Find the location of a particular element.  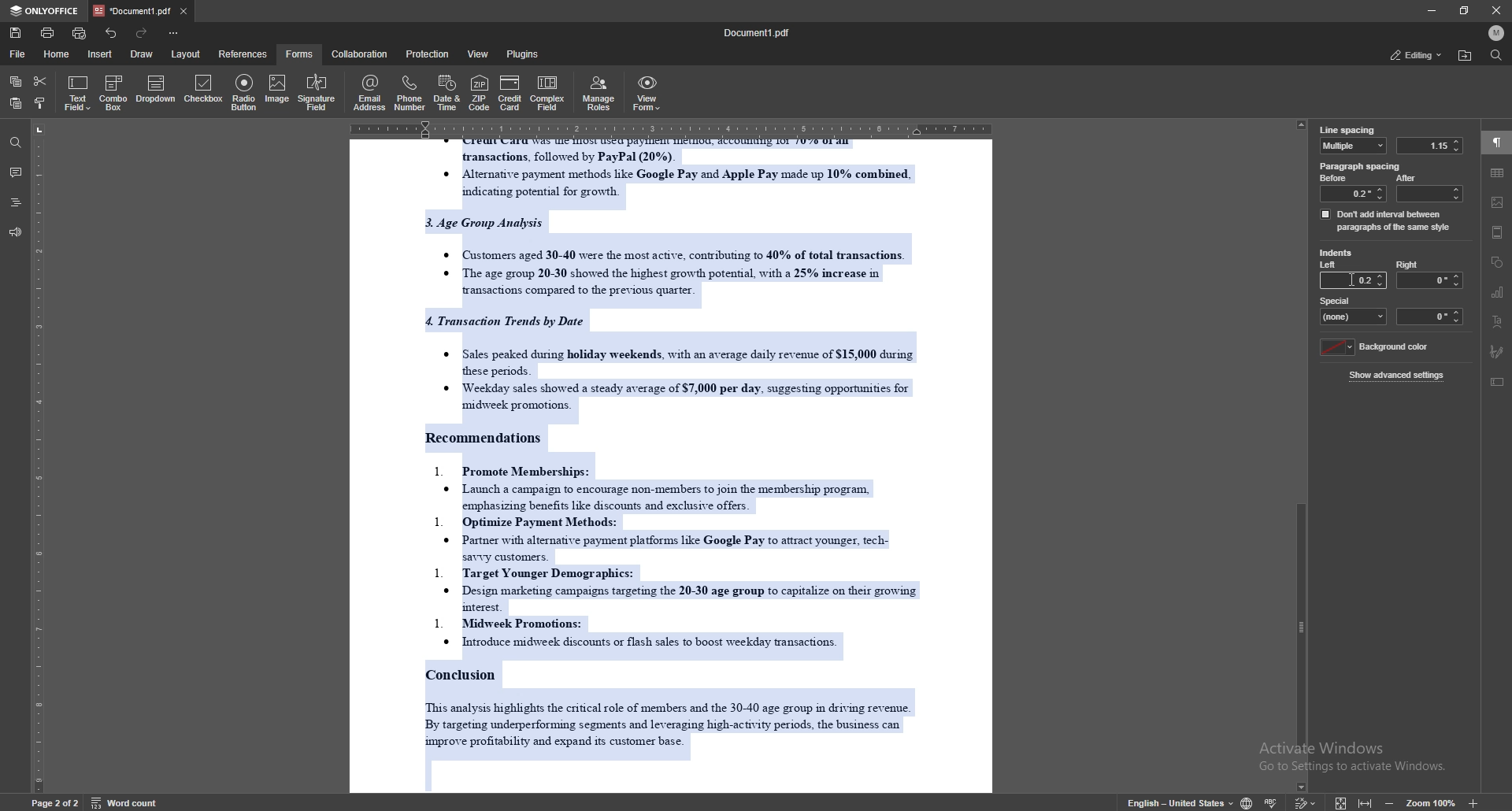

date and time is located at coordinates (447, 93).